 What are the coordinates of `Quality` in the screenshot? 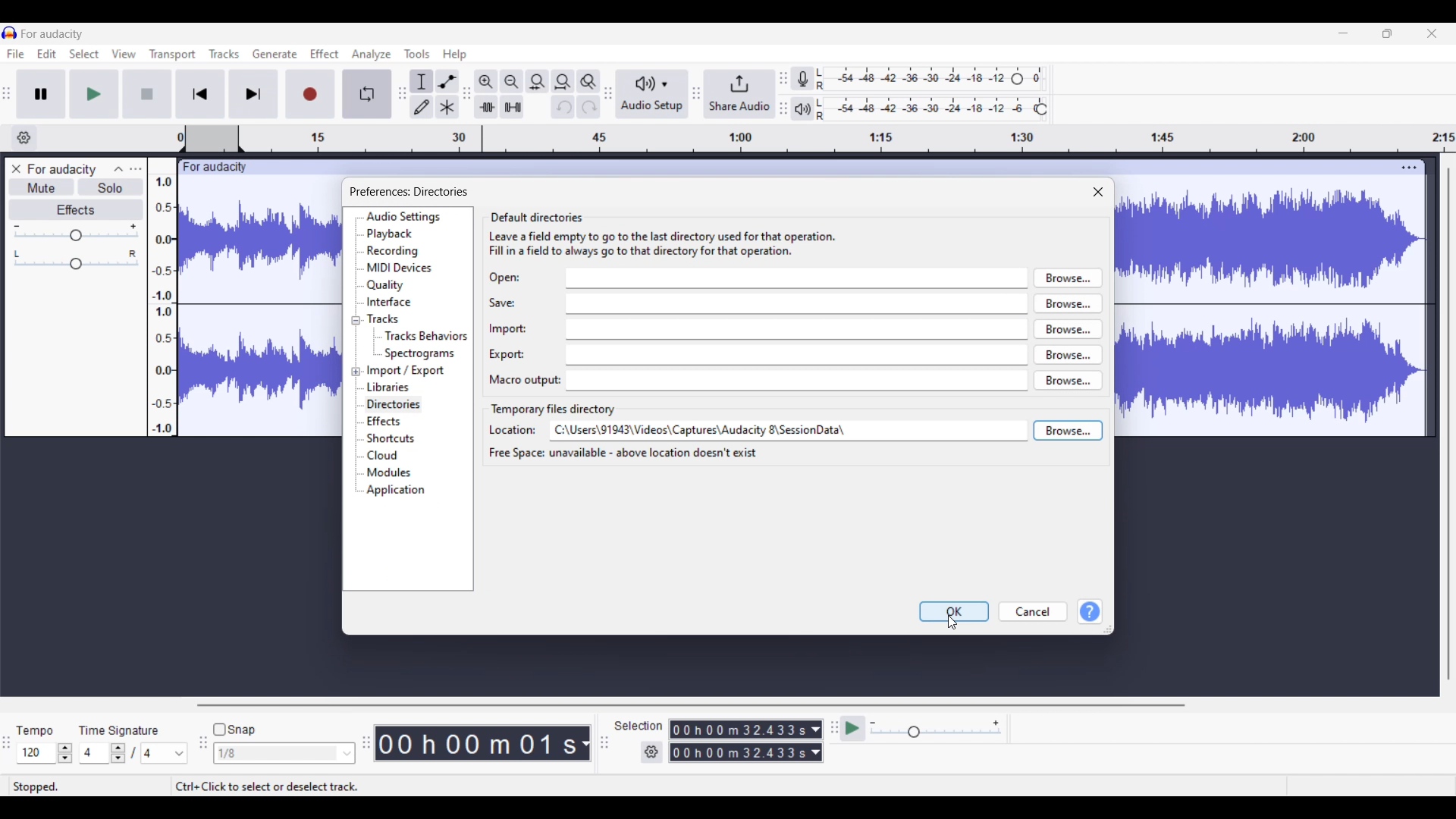 It's located at (386, 285).